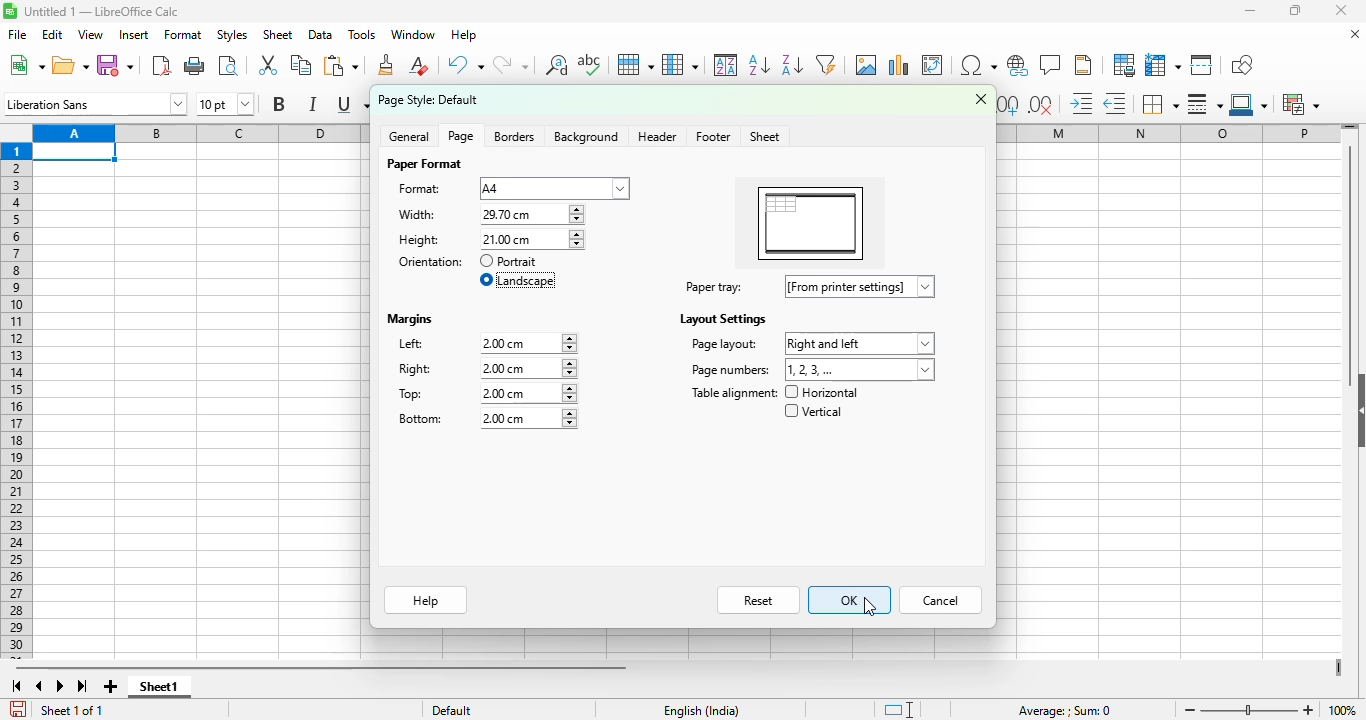 This screenshot has height=720, width=1366. Describe the element at coordinates (1248, 104) in the screenshot. I see `border color` at that location.